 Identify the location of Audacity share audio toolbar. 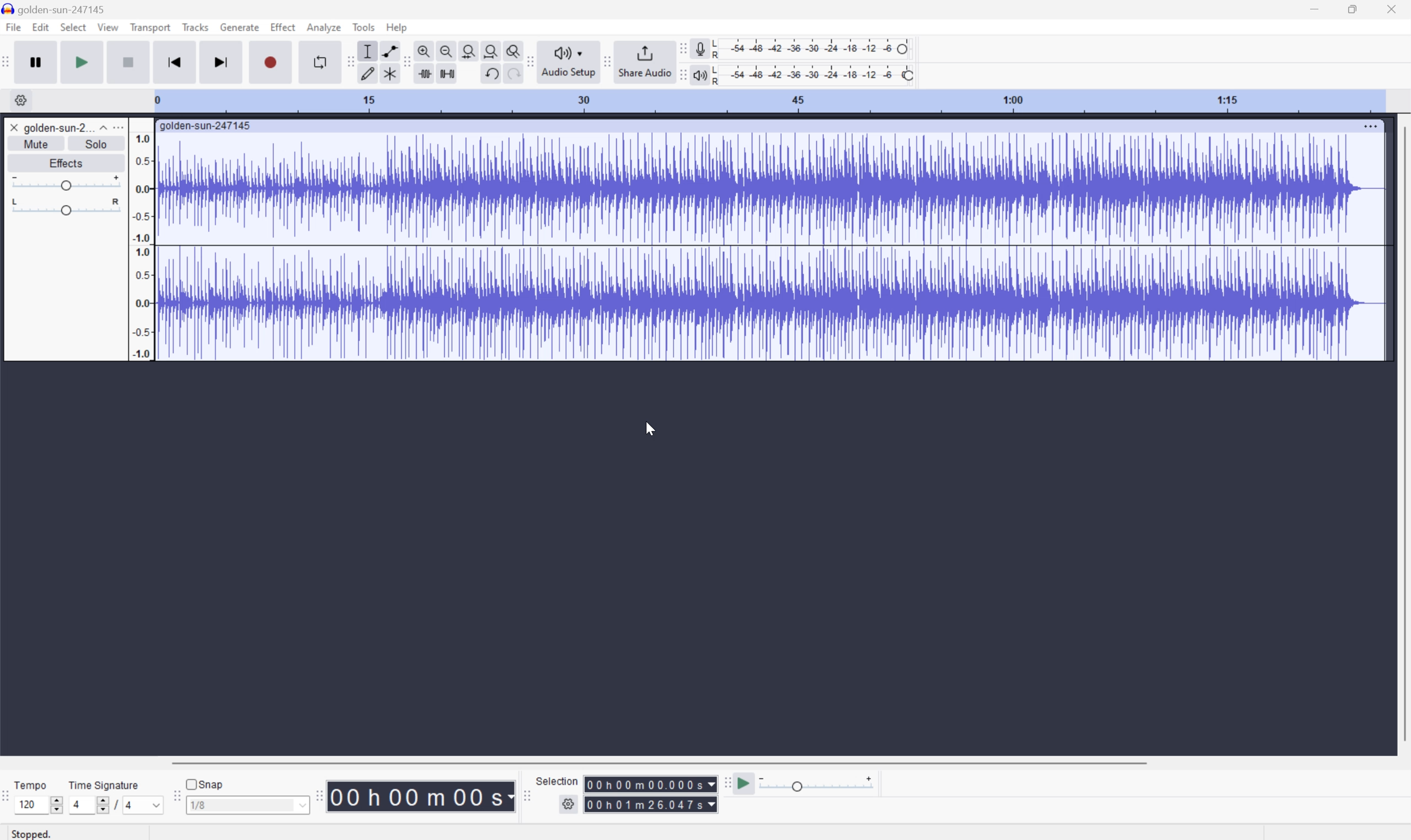
(608, 61).